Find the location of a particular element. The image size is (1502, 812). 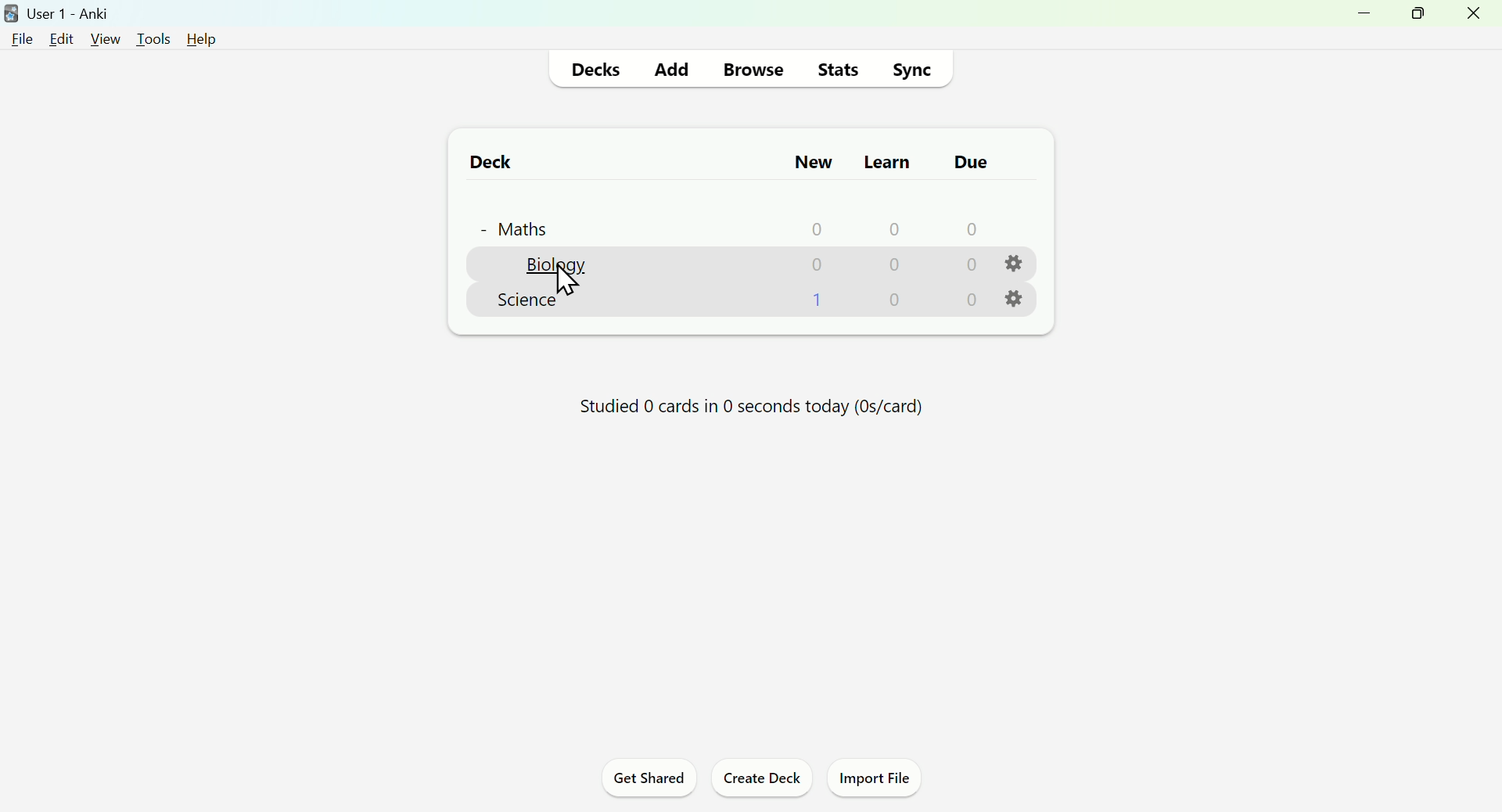

0 is located at coordinates (970, 228).